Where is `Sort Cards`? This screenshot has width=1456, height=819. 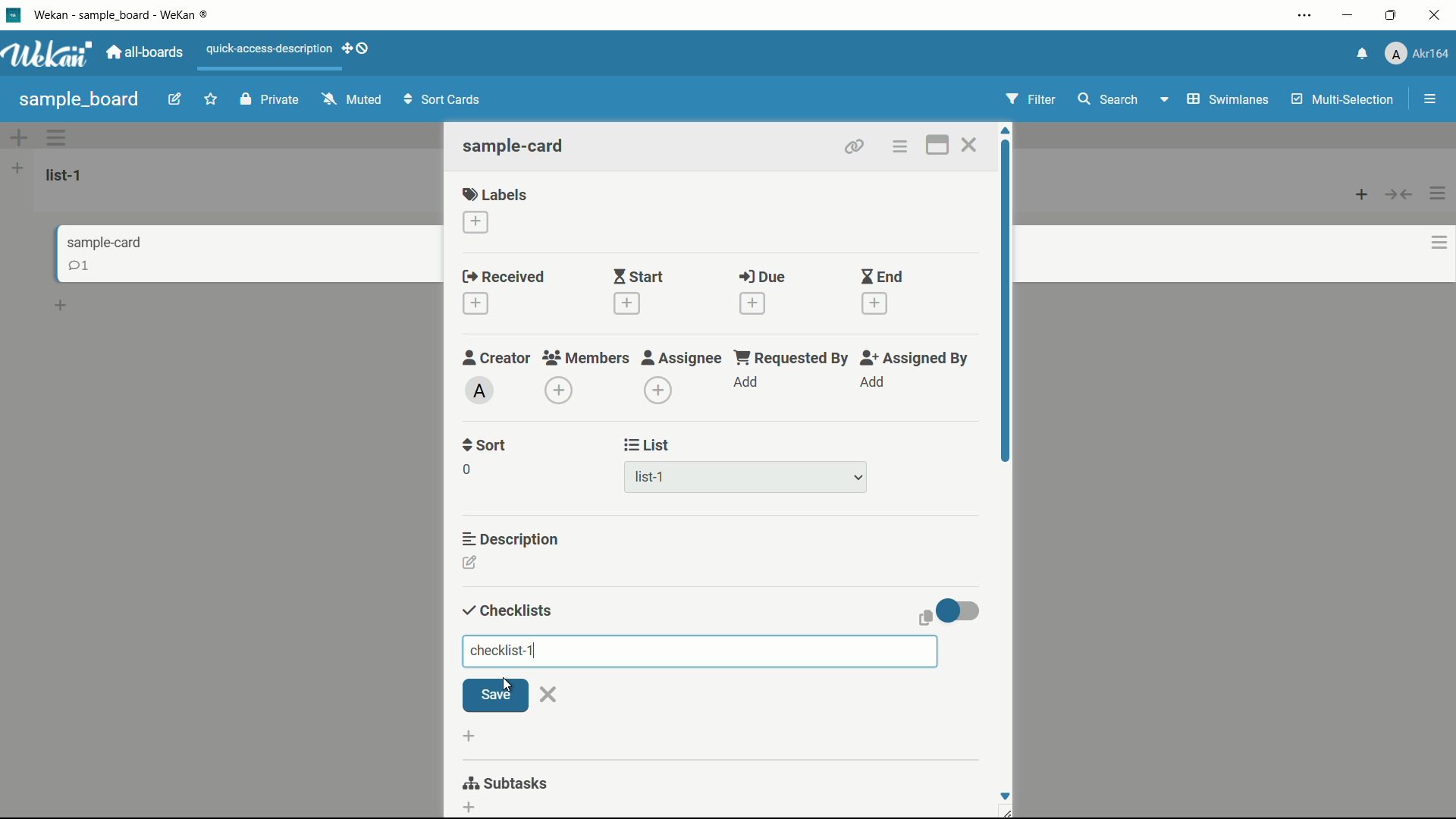
Sort Cards is located at coordinates (439, 99).